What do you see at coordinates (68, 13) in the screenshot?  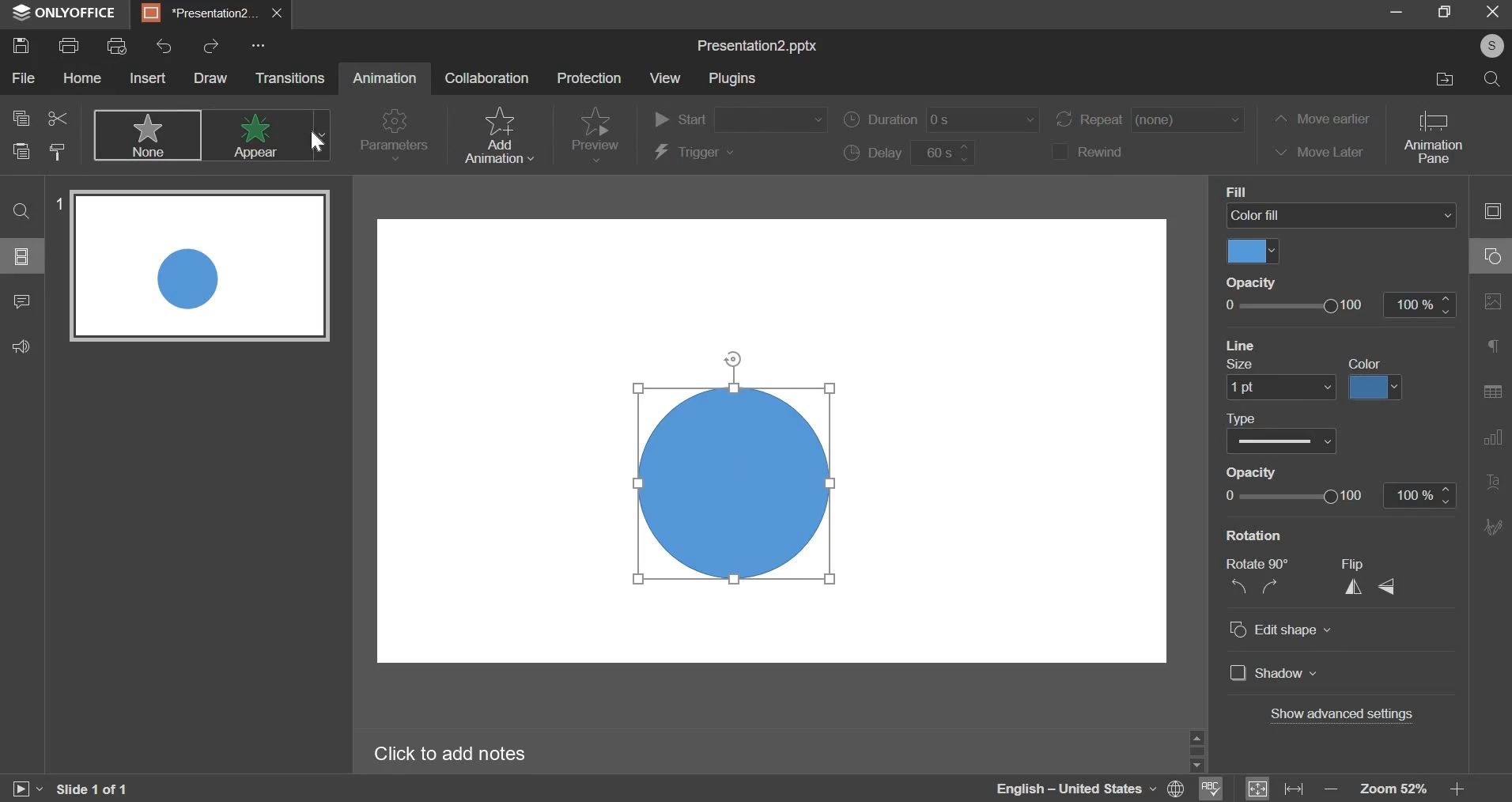 I see `ONLYOFFICE` at bounding box center [68, 13].